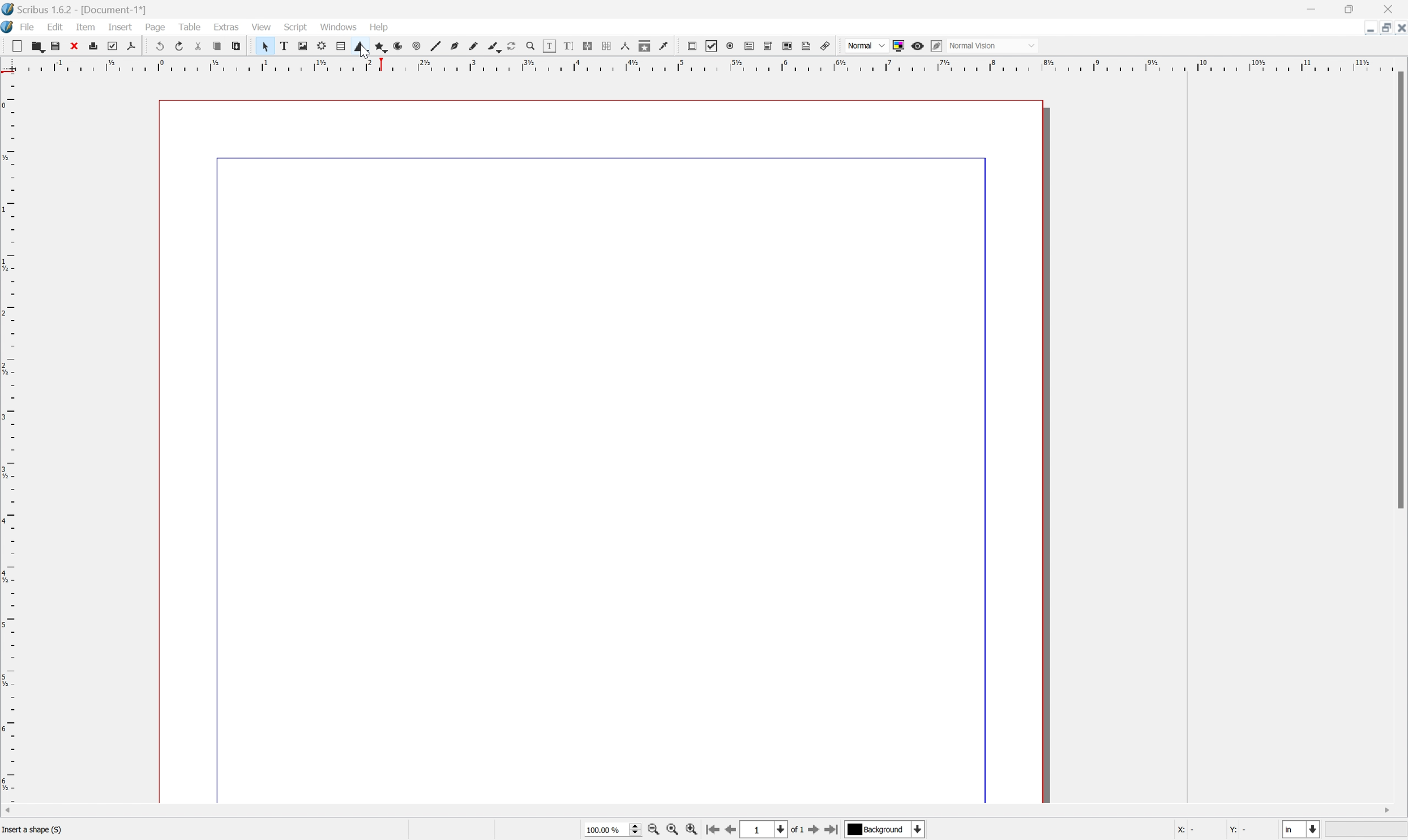 Image resolution: width=1408 pixels, height=840 pixels. Describe the element at coordinates (495, 48) in the screenshot. I see `Calligraphic lines` at that location.